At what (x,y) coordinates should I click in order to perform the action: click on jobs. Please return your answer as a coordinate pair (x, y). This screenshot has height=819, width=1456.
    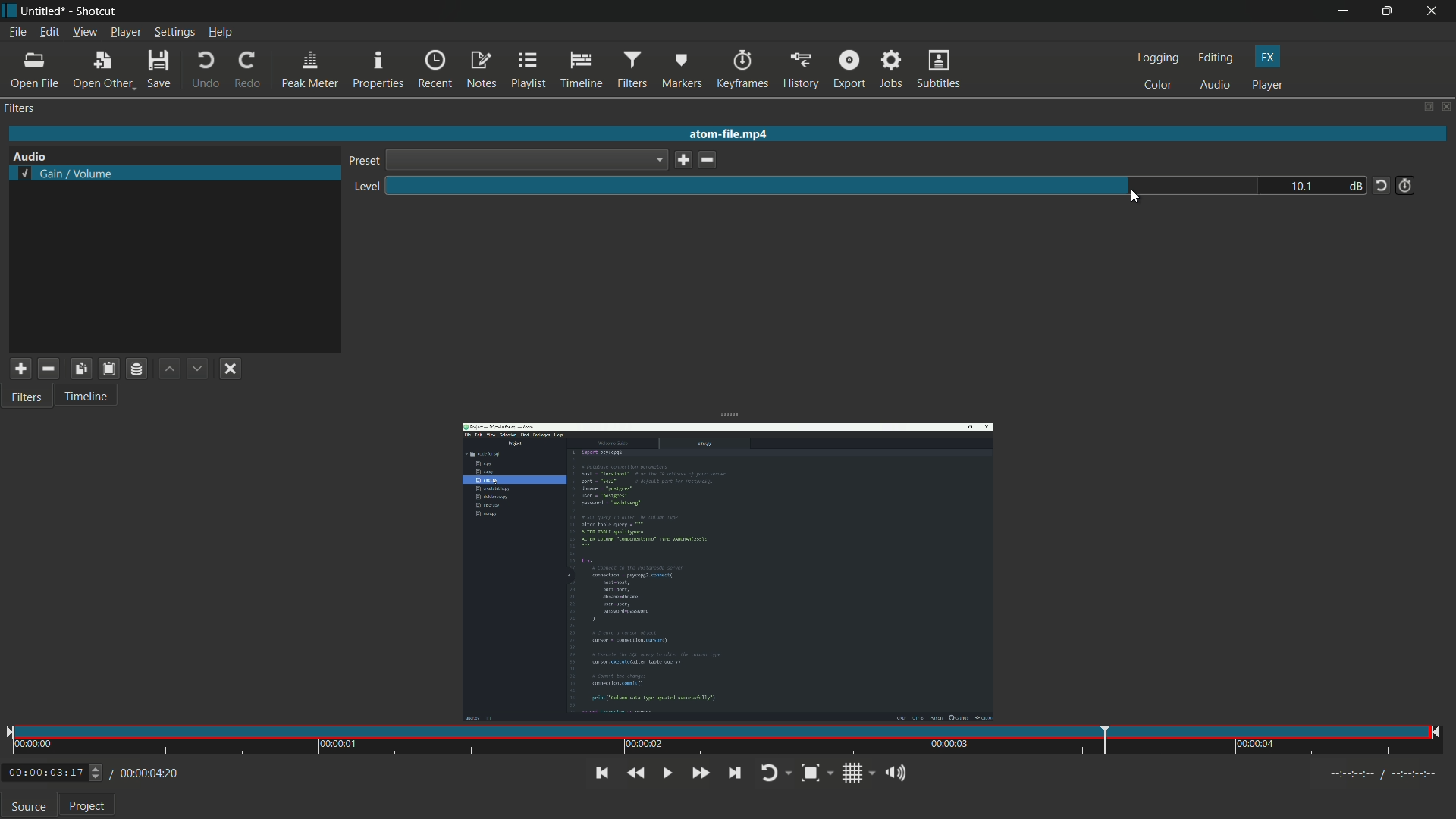
    Looking at the image, I should click on (893, 71).